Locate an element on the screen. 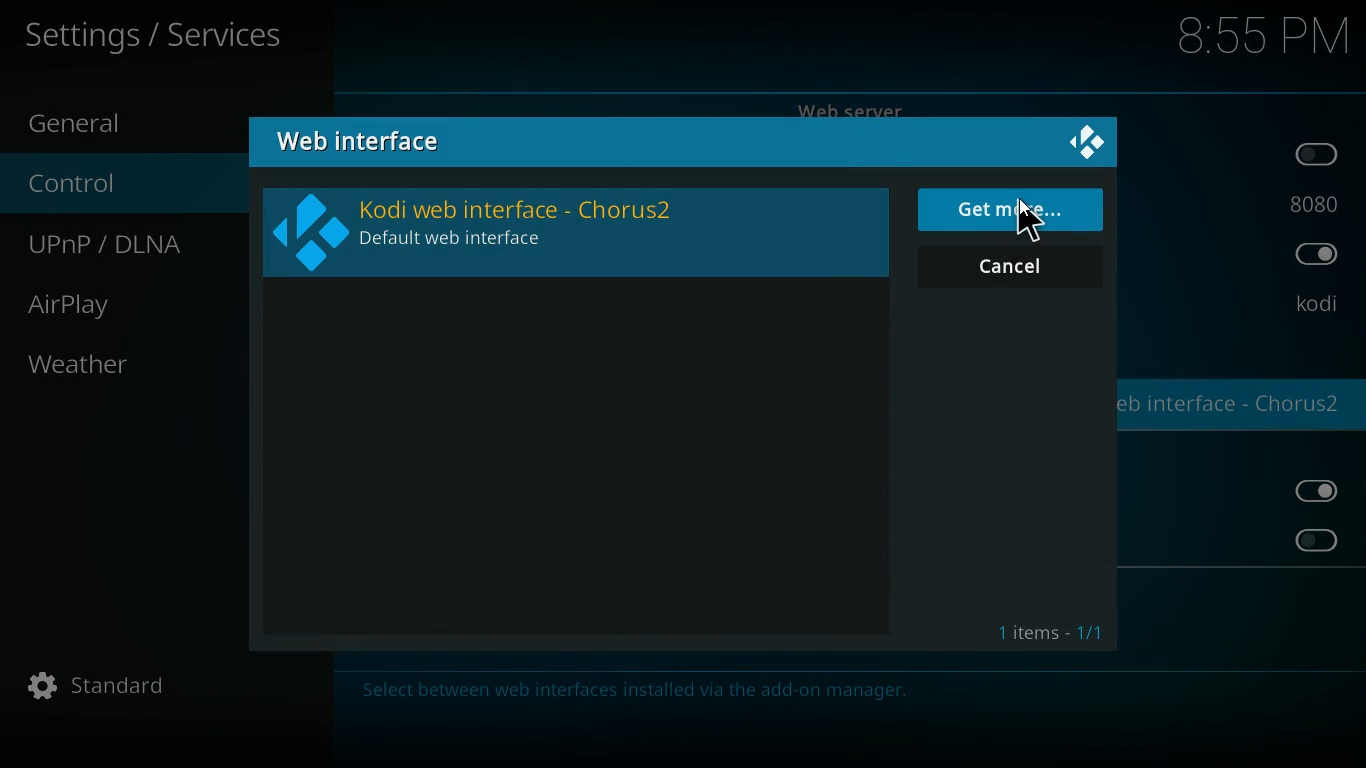  off is located at coordinates (1319, 155).